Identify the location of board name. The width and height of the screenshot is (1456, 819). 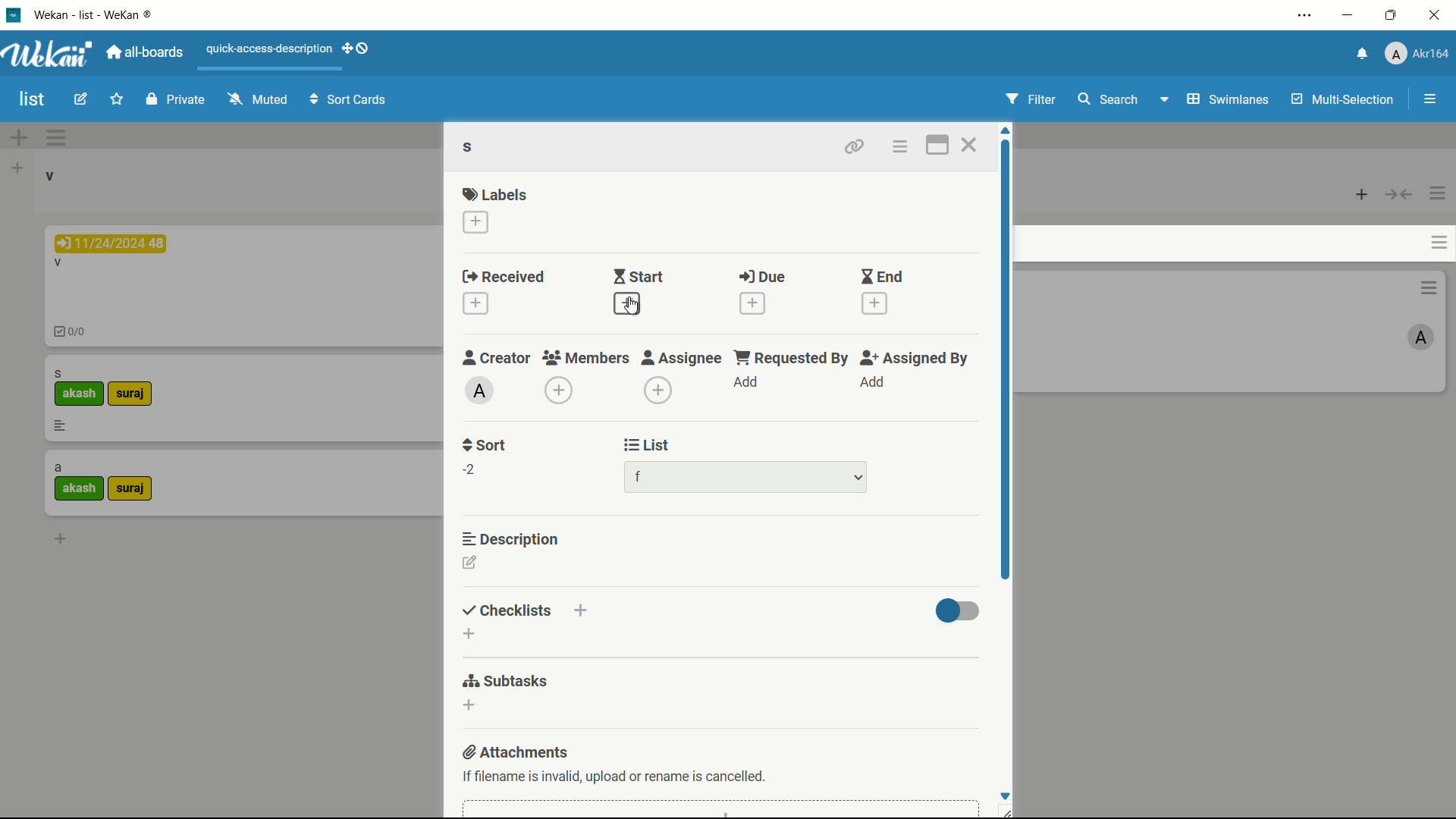
(33, 100).